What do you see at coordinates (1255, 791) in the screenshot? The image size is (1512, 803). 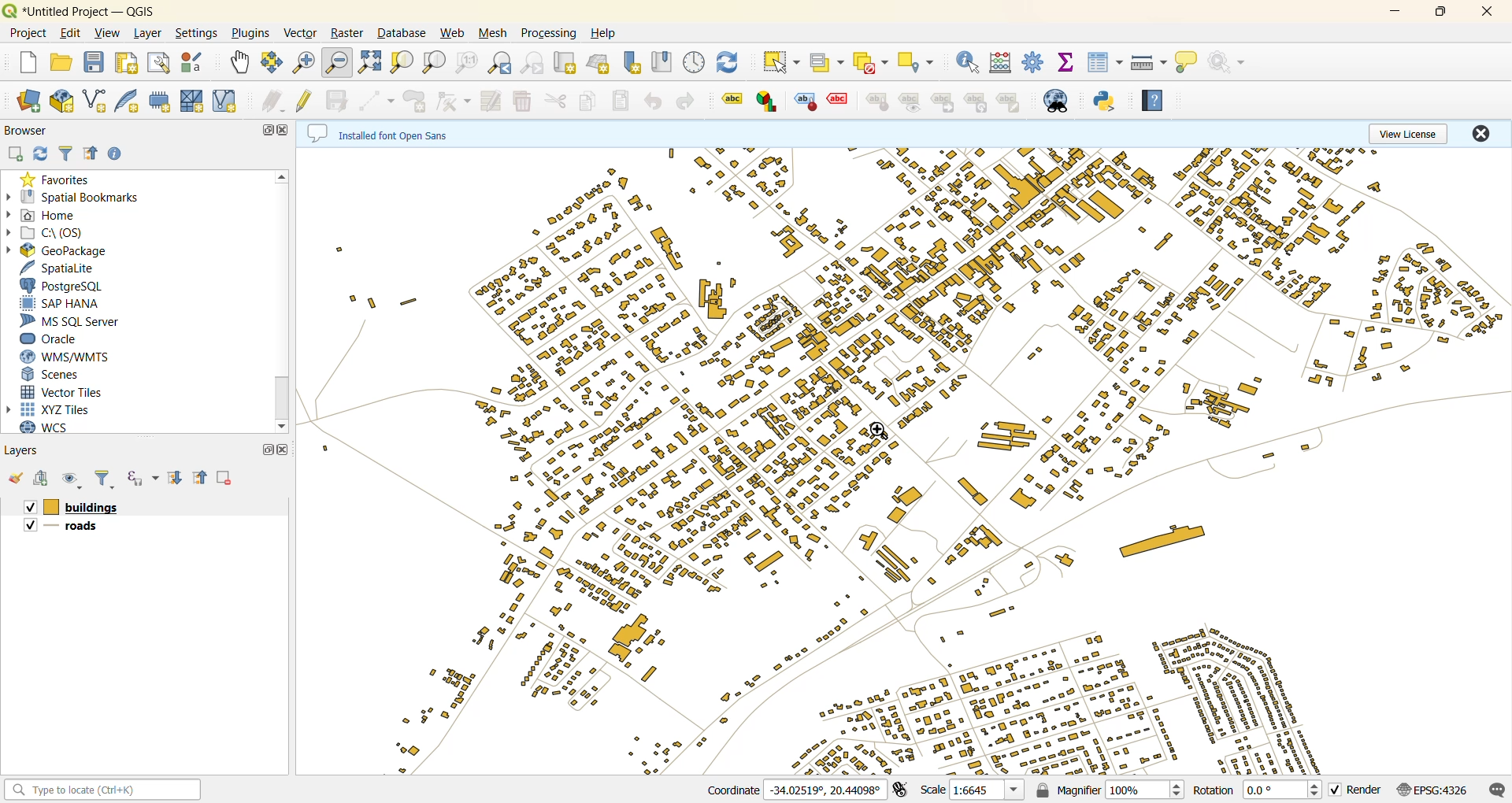 I see `rotation` at bounding box center [1255, 791].